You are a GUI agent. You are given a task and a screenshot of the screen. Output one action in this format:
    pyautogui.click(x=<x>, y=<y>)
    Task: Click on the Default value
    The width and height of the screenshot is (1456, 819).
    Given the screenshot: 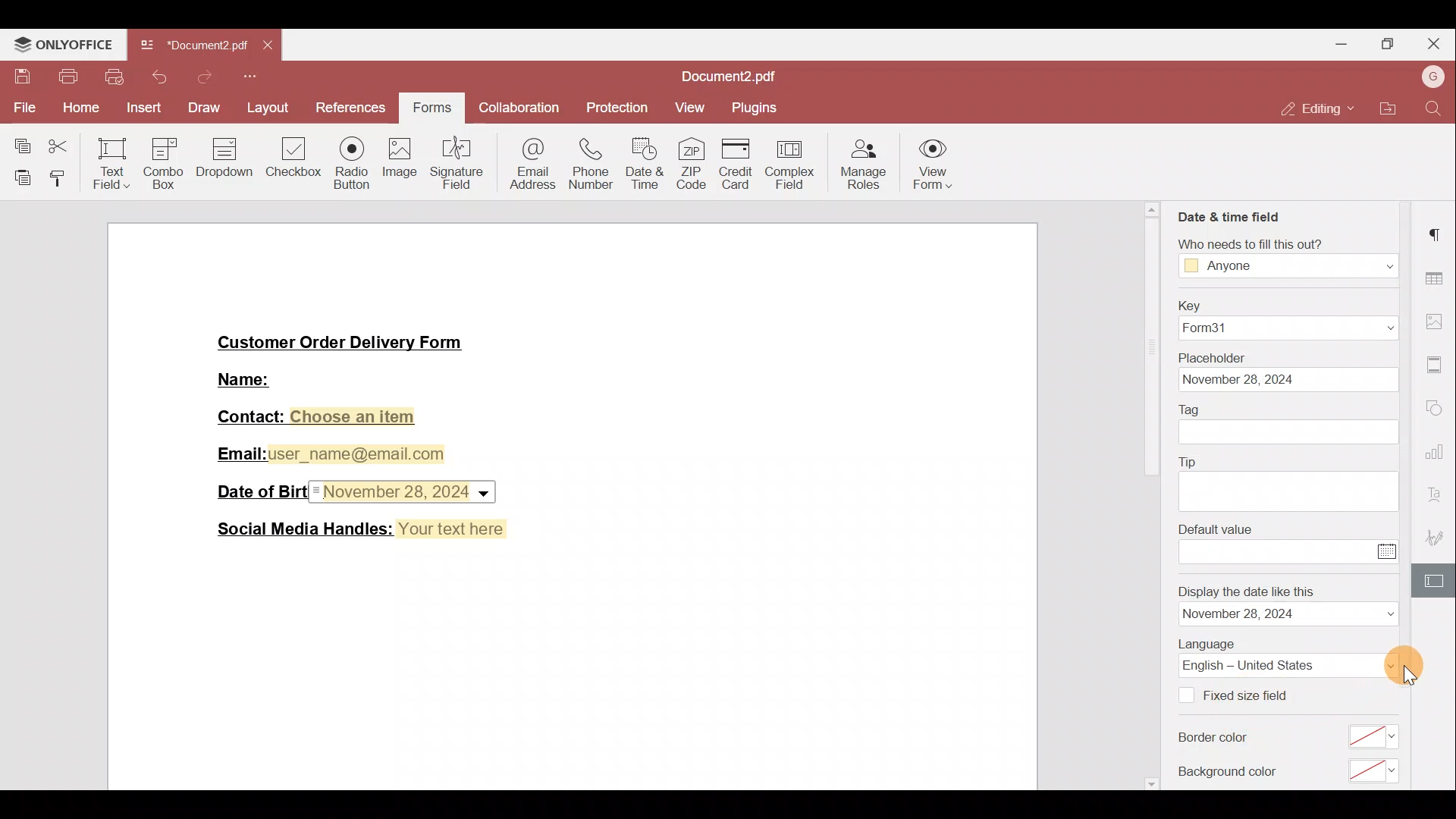 What is the action you would take?
    pyautogui.click(x=1217, y=529)
    